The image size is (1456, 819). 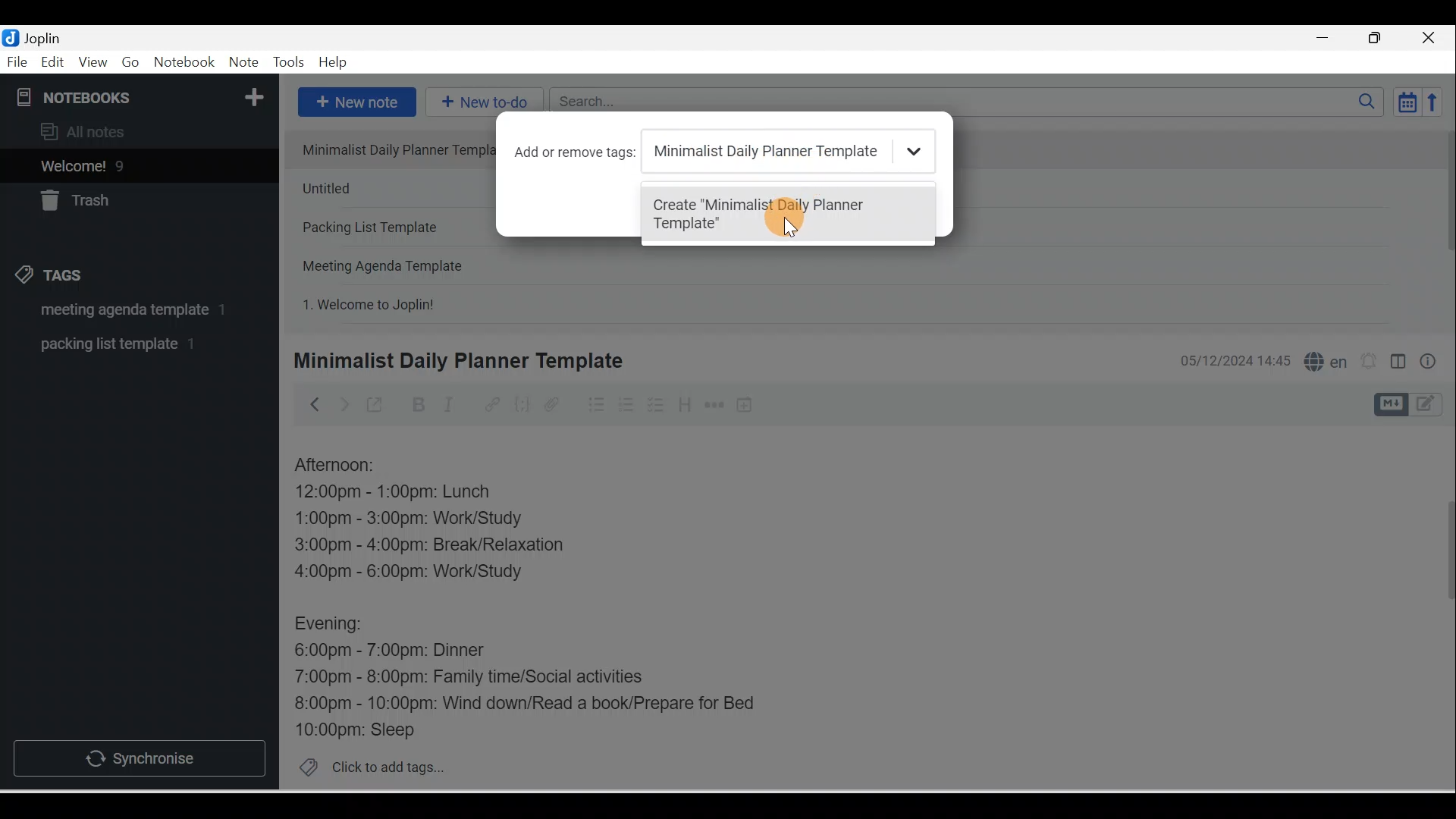 I want to click on File, so click(x=18, y=61).